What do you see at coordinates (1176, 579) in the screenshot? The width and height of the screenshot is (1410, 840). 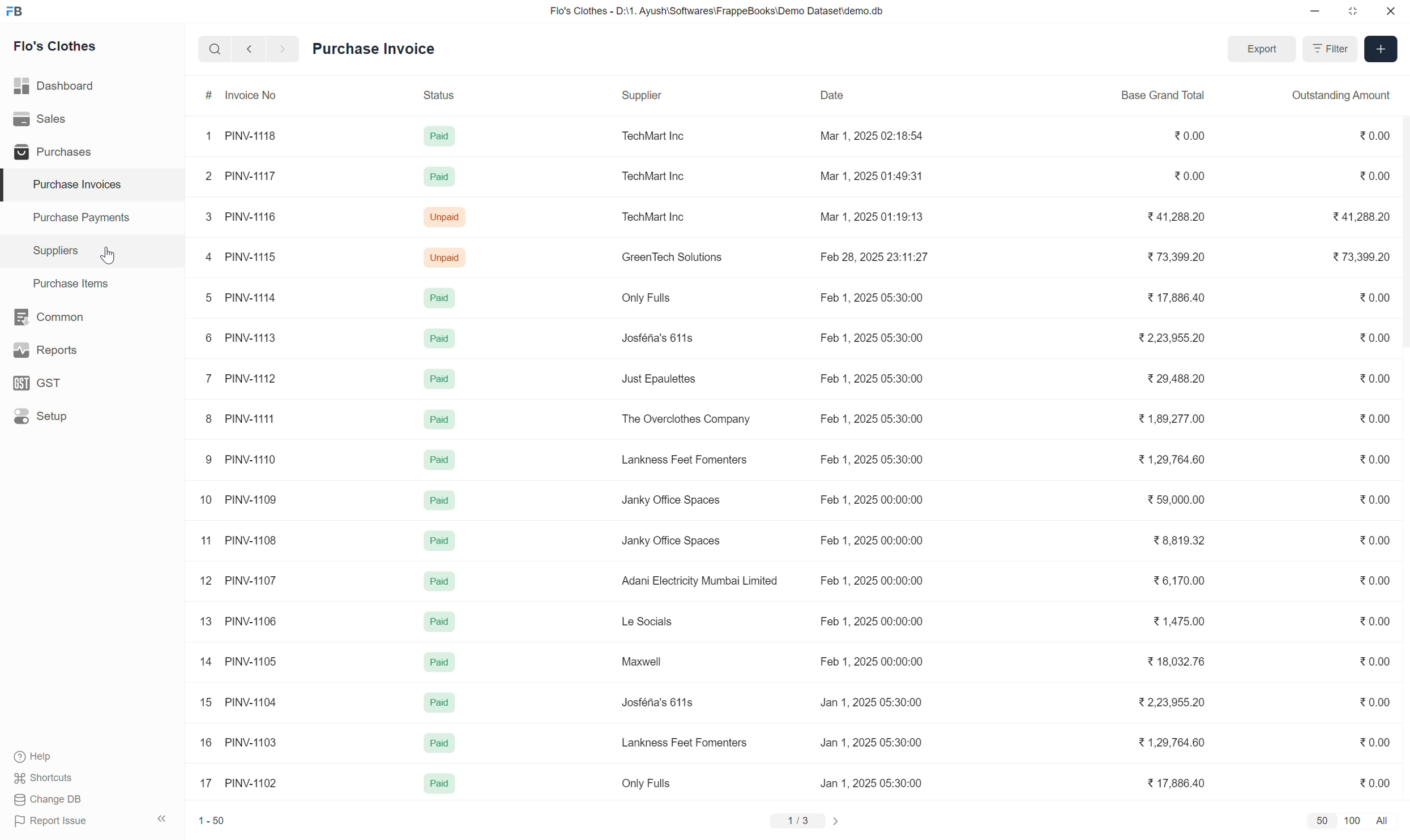 I see `%6,170.00` at bounding box center [1176, 579].